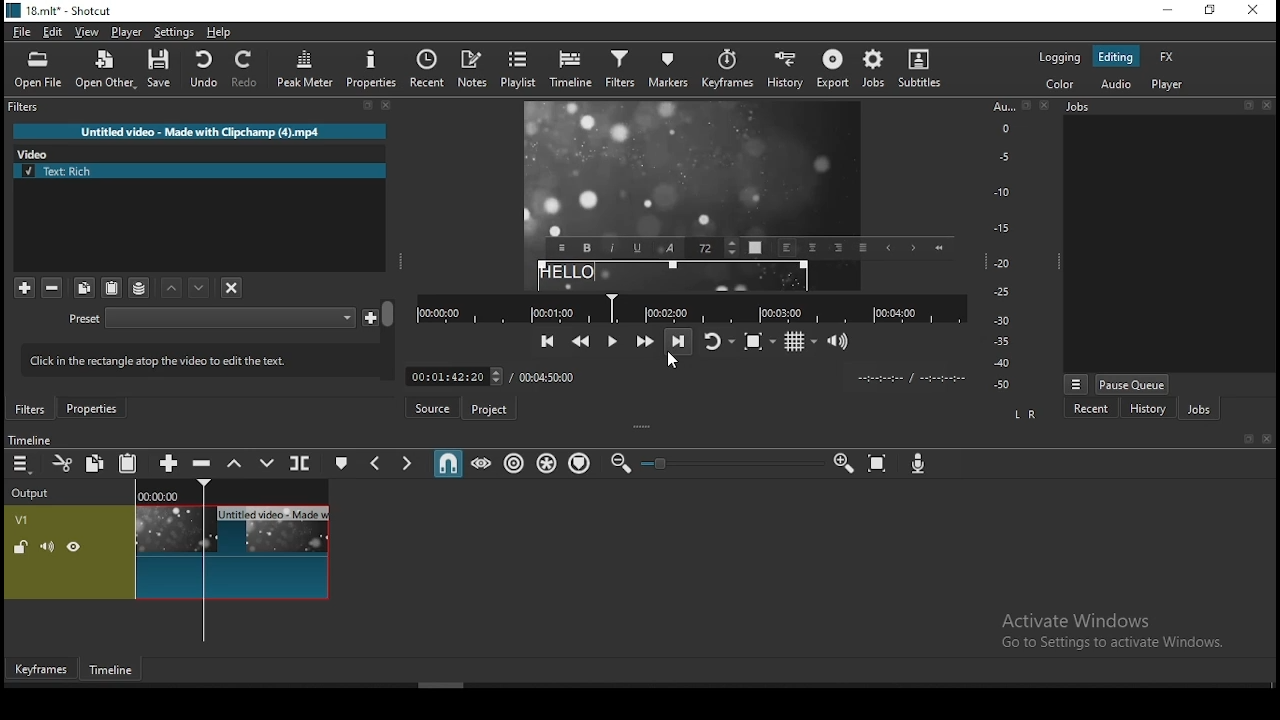  I want to click on peak meter, so click(305, 68).